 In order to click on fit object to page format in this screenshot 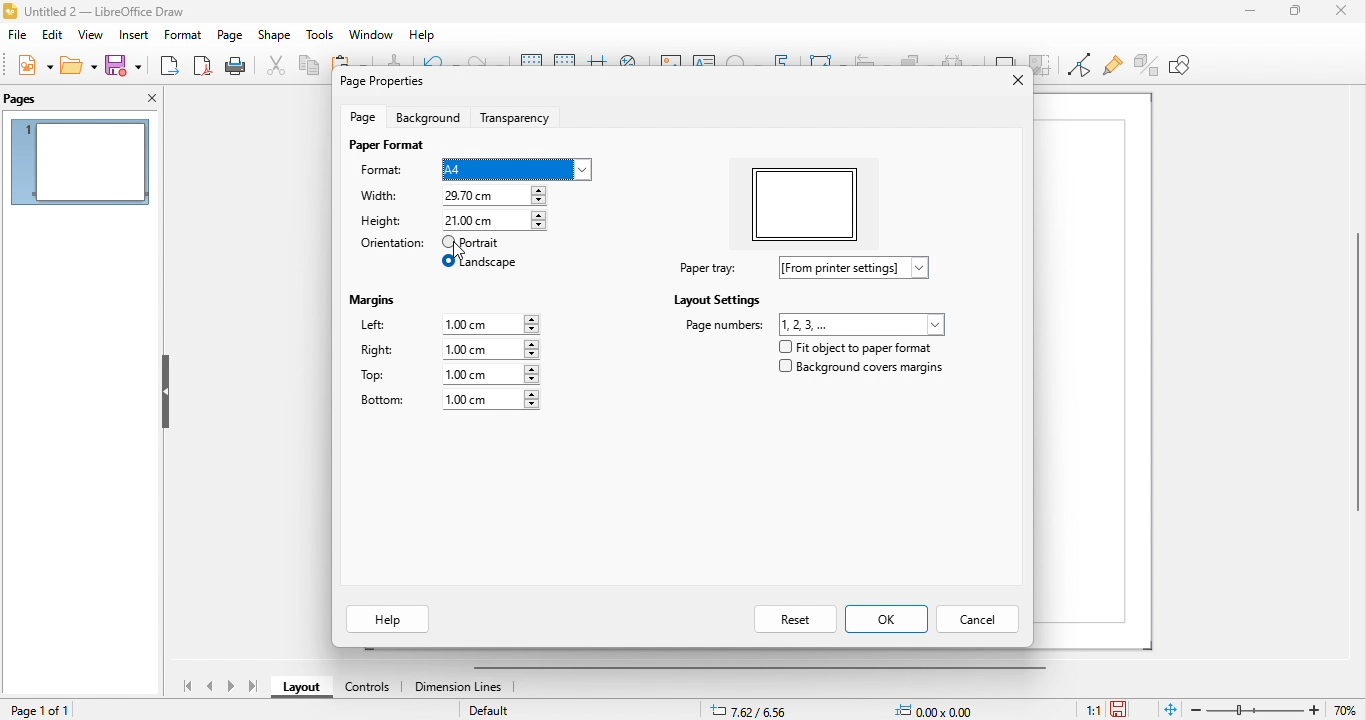, I will do `click(859, 348)`.